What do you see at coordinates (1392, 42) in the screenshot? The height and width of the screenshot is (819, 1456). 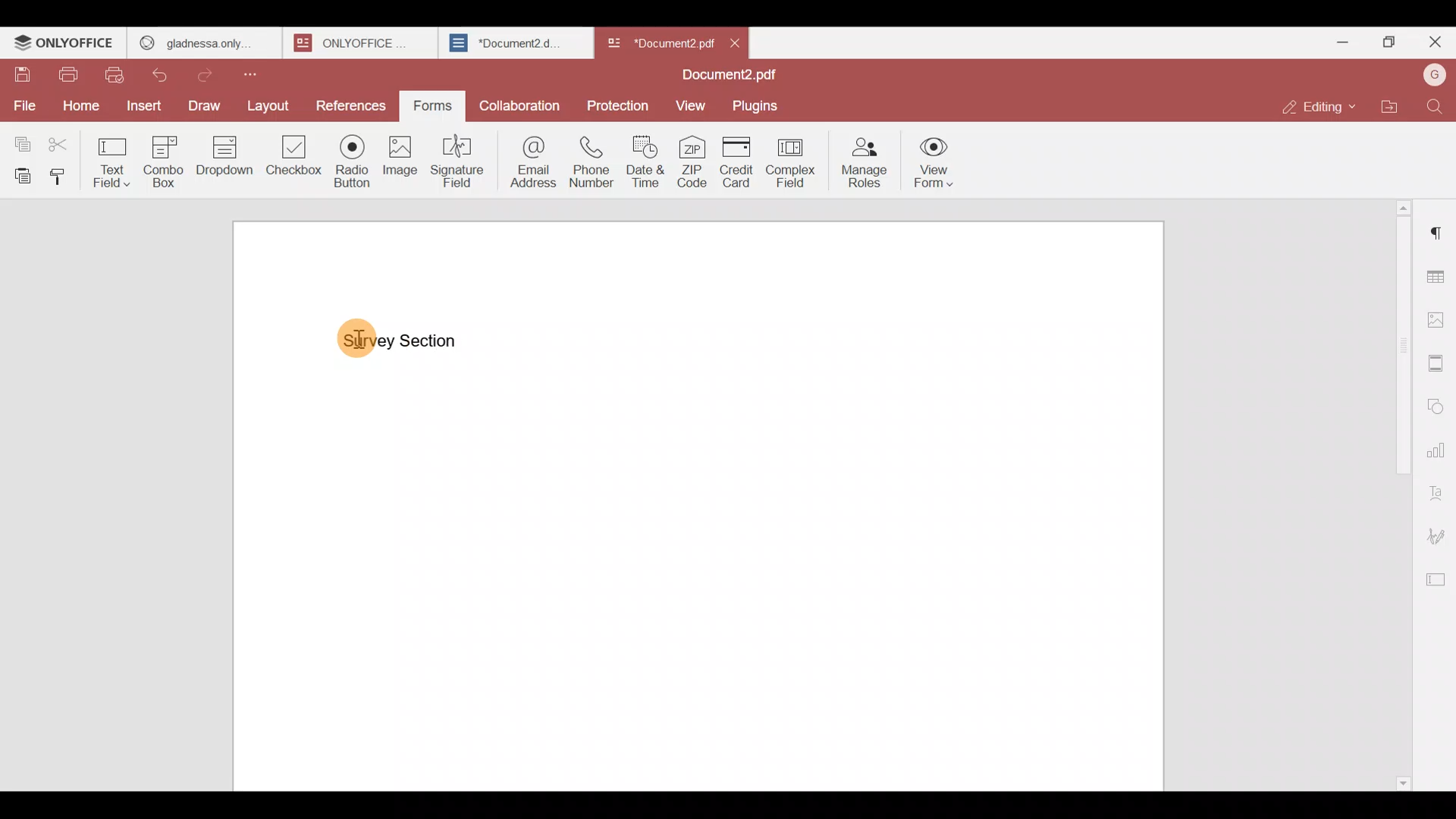 I see `Maximize` at bounding box center [1392, 42].